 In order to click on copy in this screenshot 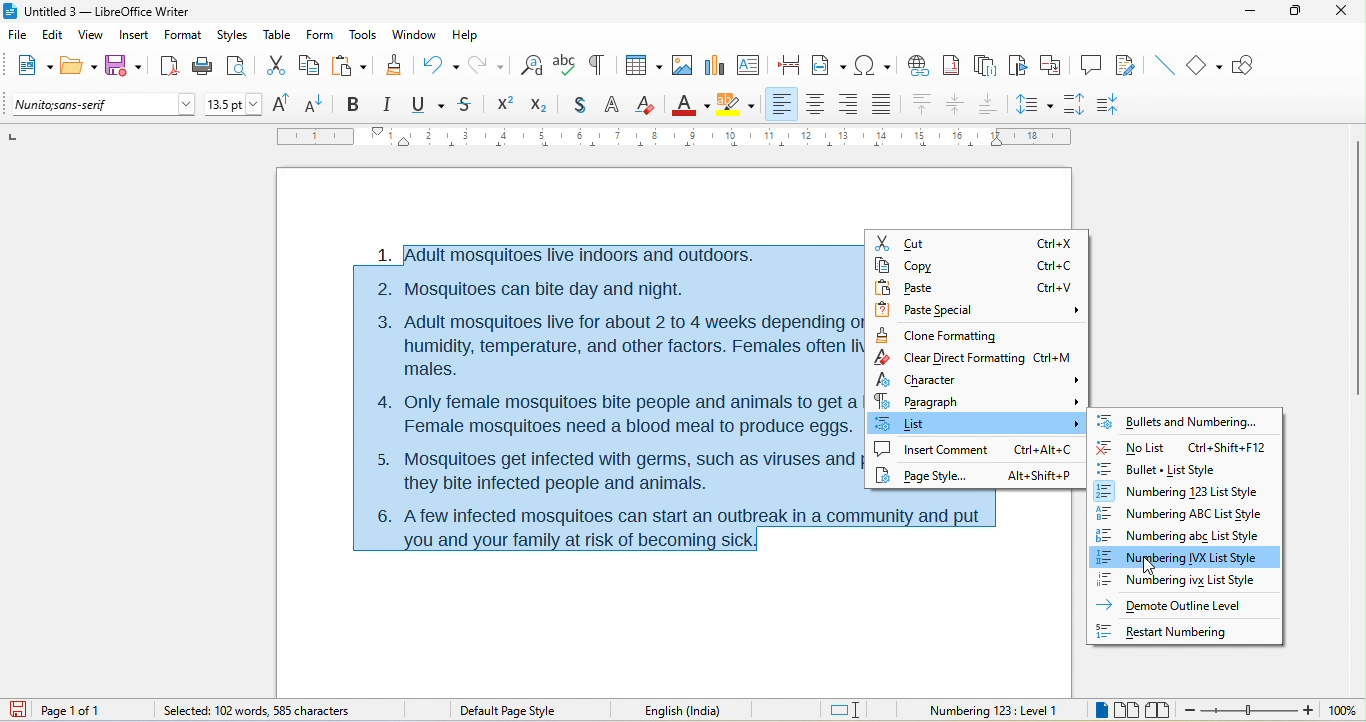, I will do `click(310, 65)`.